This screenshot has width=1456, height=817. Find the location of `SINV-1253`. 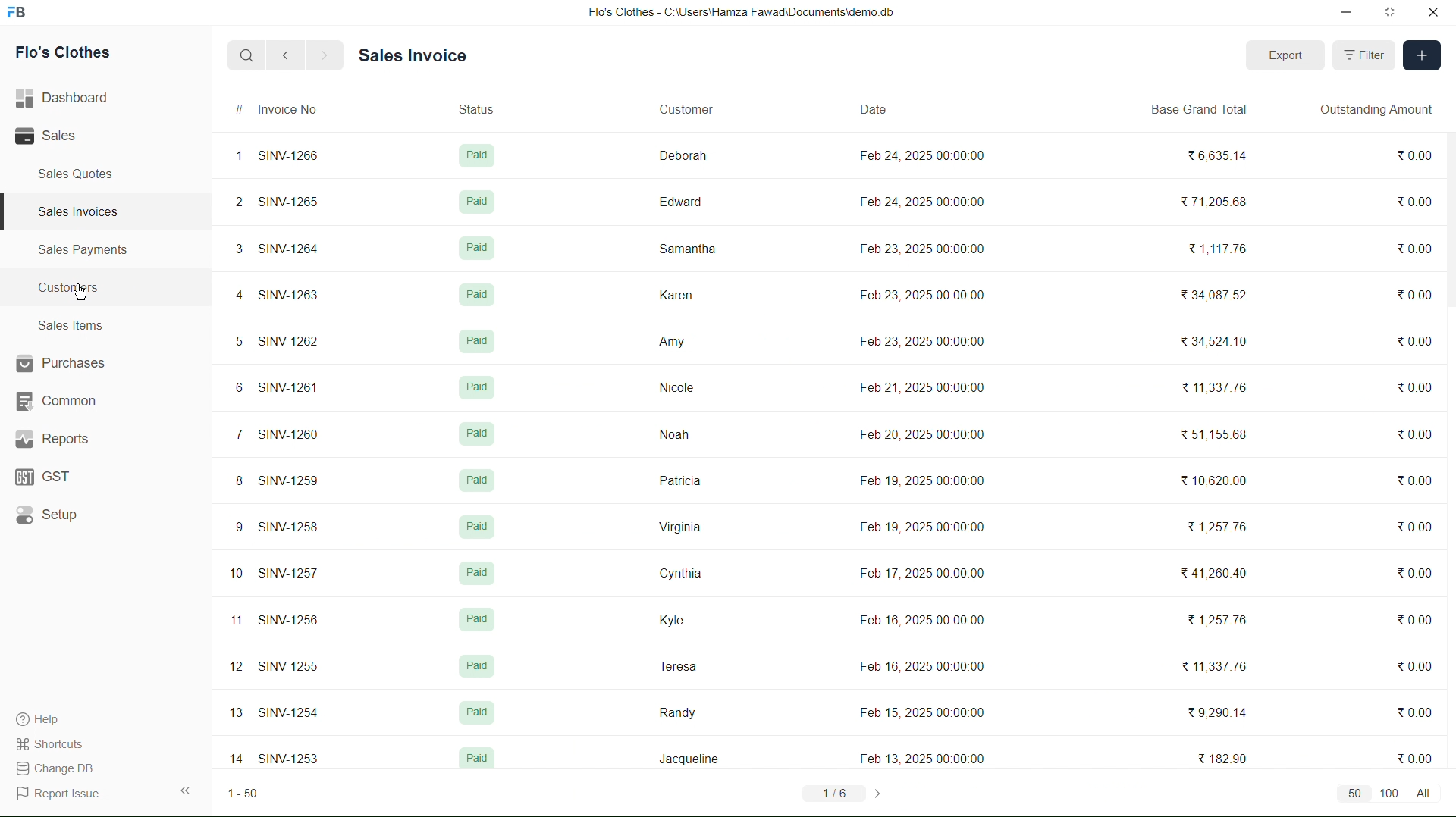

SINV-1253 is located at coordinates (288, 755).